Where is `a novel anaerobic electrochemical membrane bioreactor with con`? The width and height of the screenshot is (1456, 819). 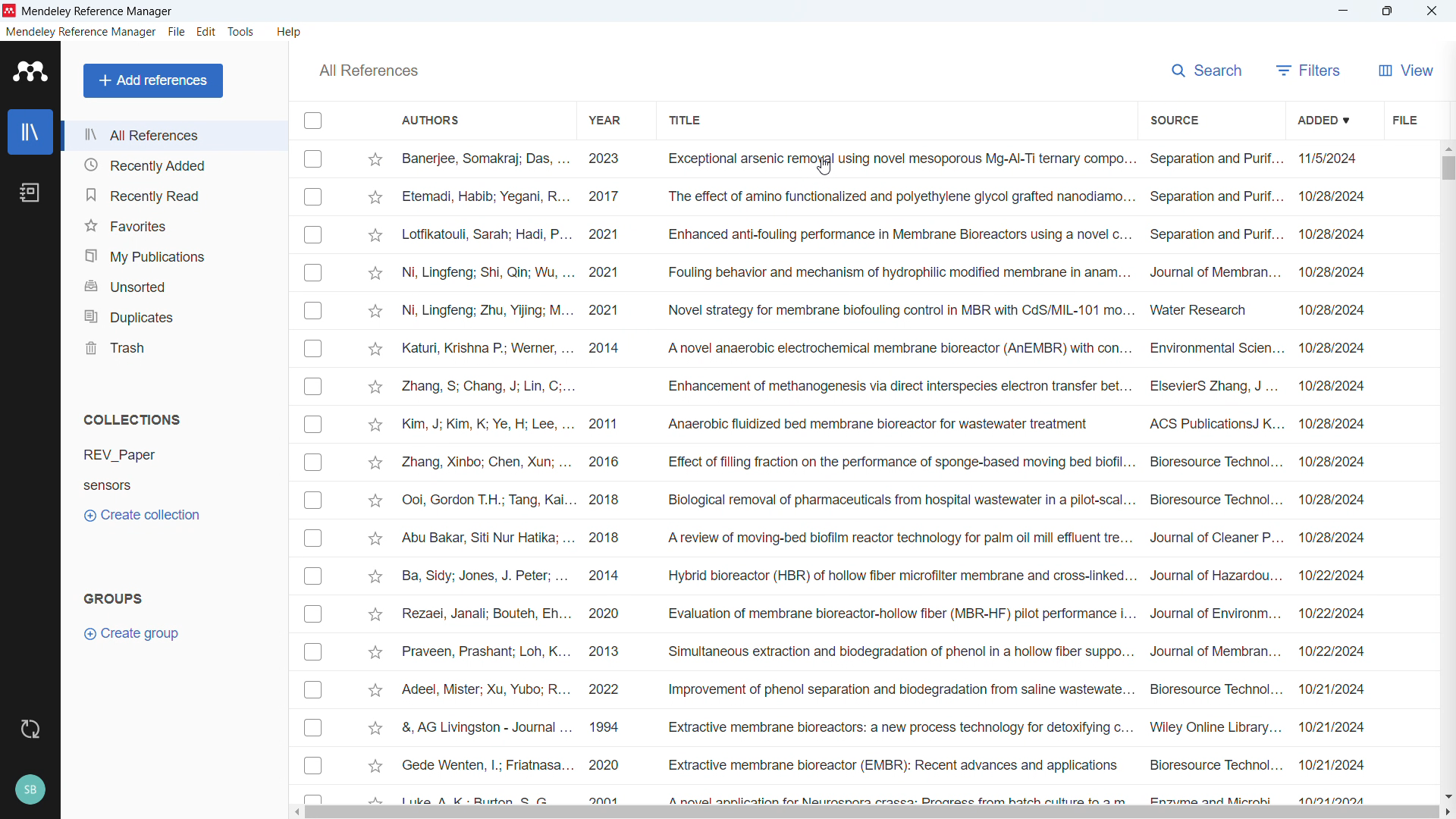 a novel anaerobic electrochemical membrane bioreactor with con is located at coordinates (893, 347).